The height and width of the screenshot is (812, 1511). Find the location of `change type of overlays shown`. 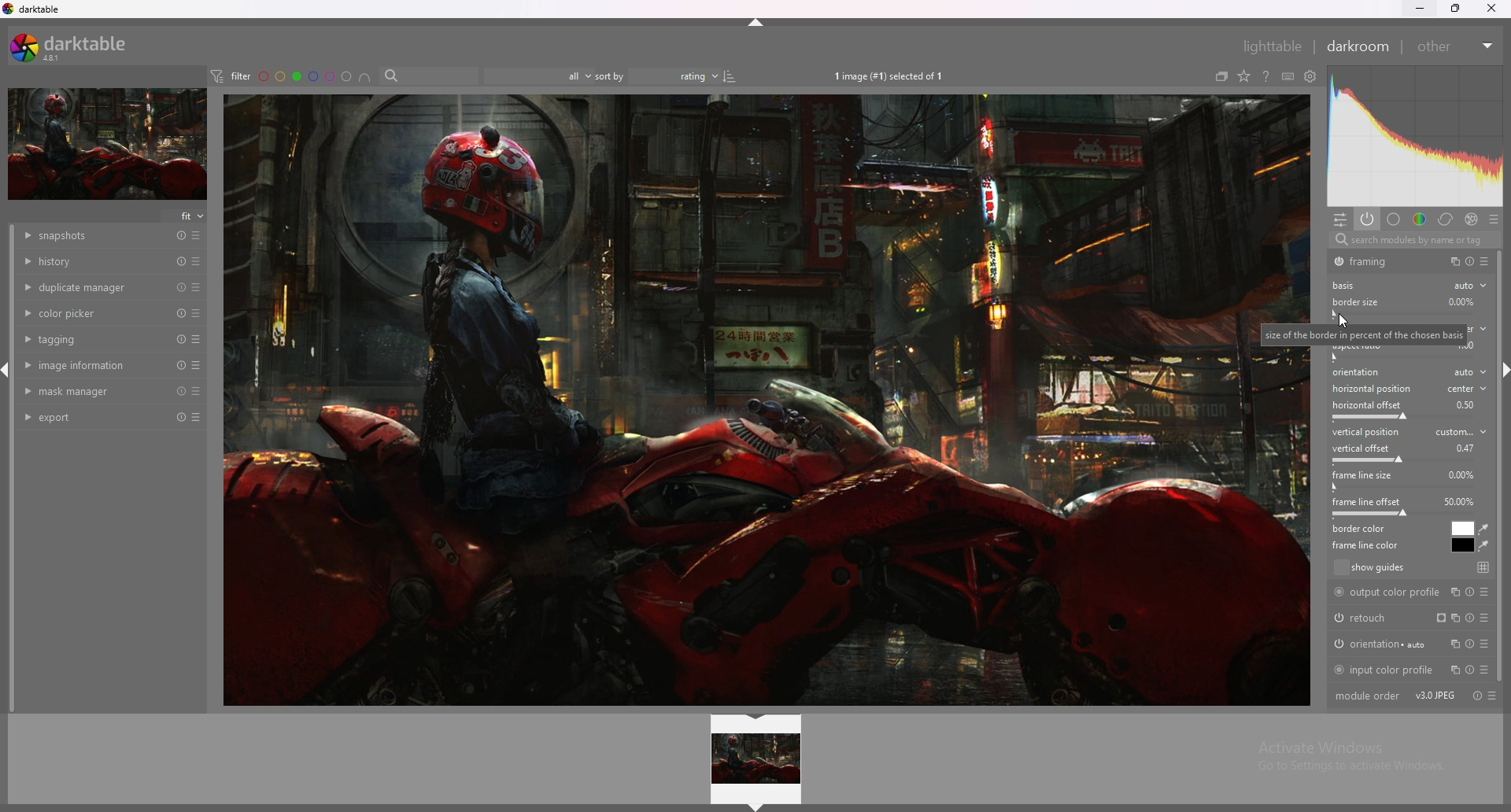

change type of overlays shown is located at coordinates (1243, 76).